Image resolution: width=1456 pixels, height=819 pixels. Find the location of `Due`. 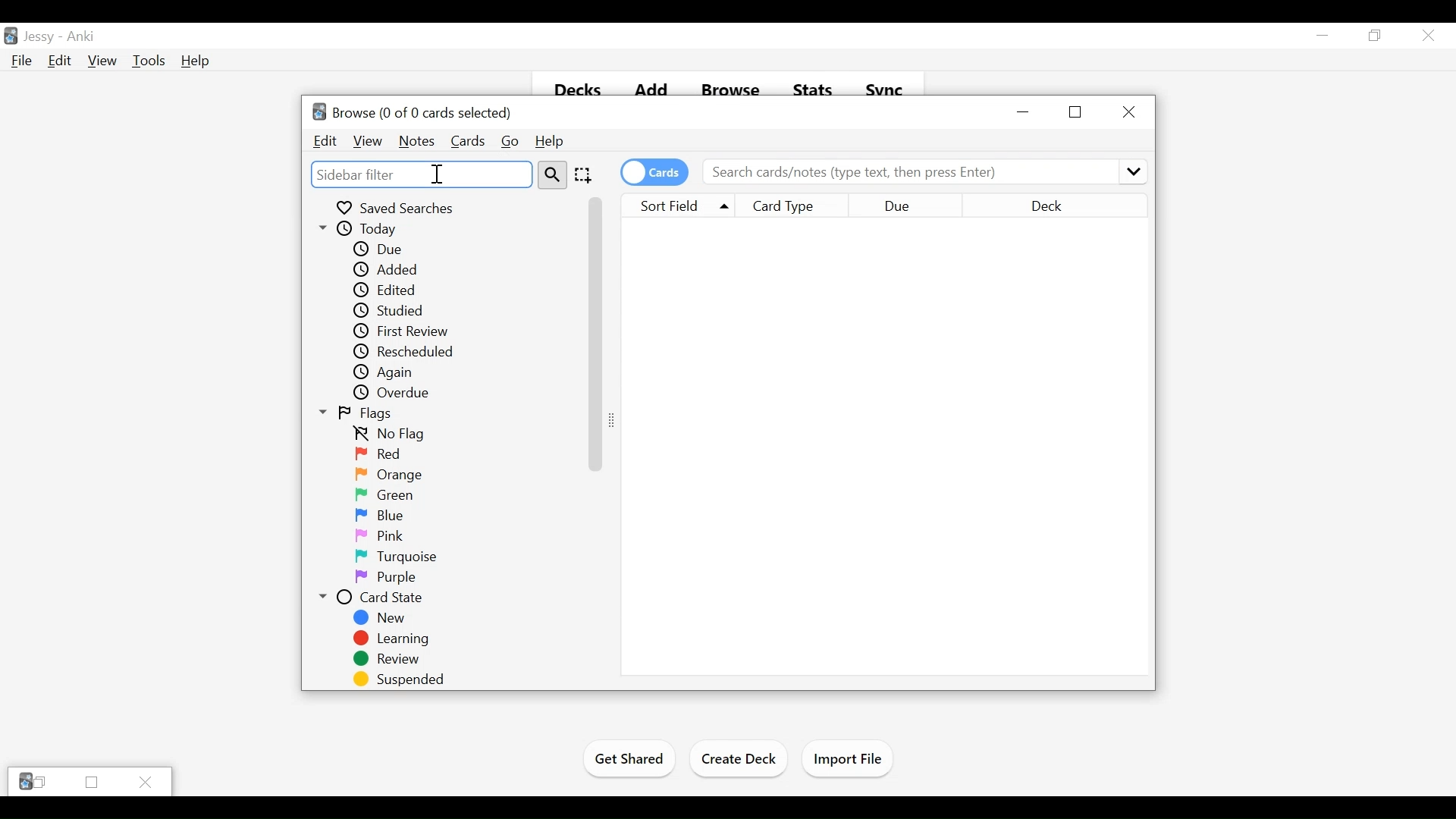

Due is located at coordinates (927, 206).